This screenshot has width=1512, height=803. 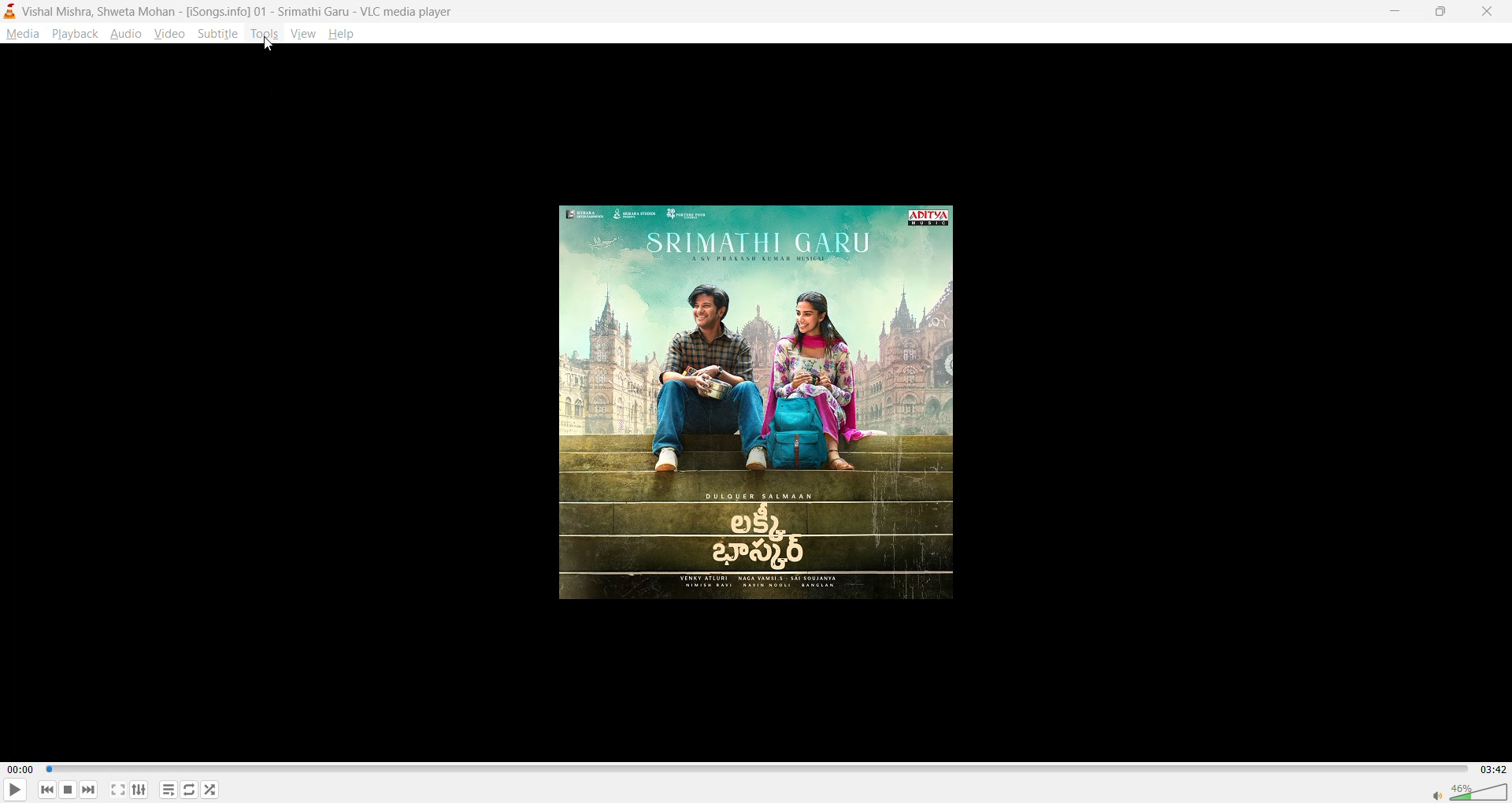 What do you see at coordinates (139, 789) in the screenshot?
I see `settings` at bounding box center [139, 789].